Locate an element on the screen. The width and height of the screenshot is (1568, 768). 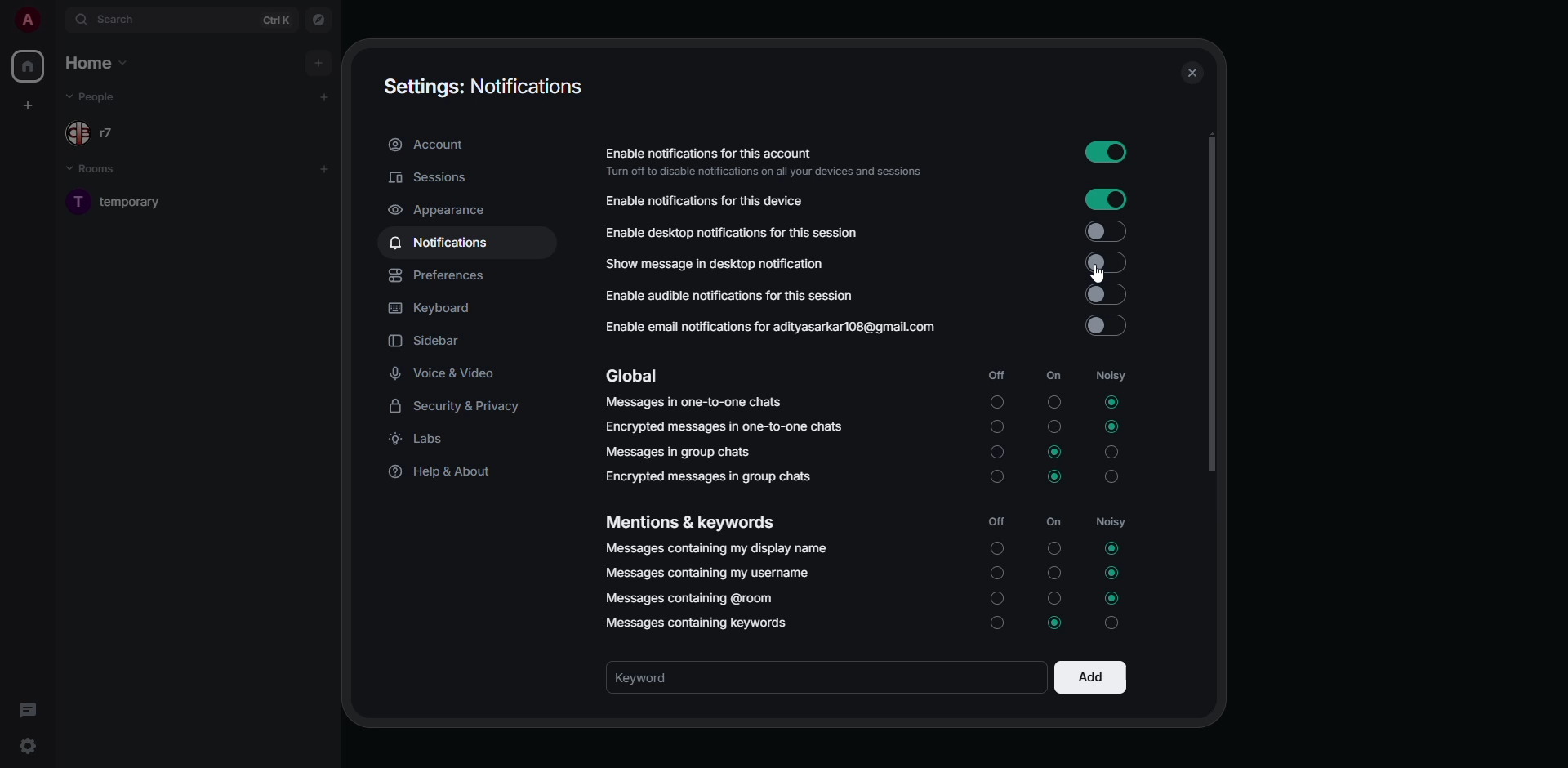
selected is located at coordinates (1110, 401).